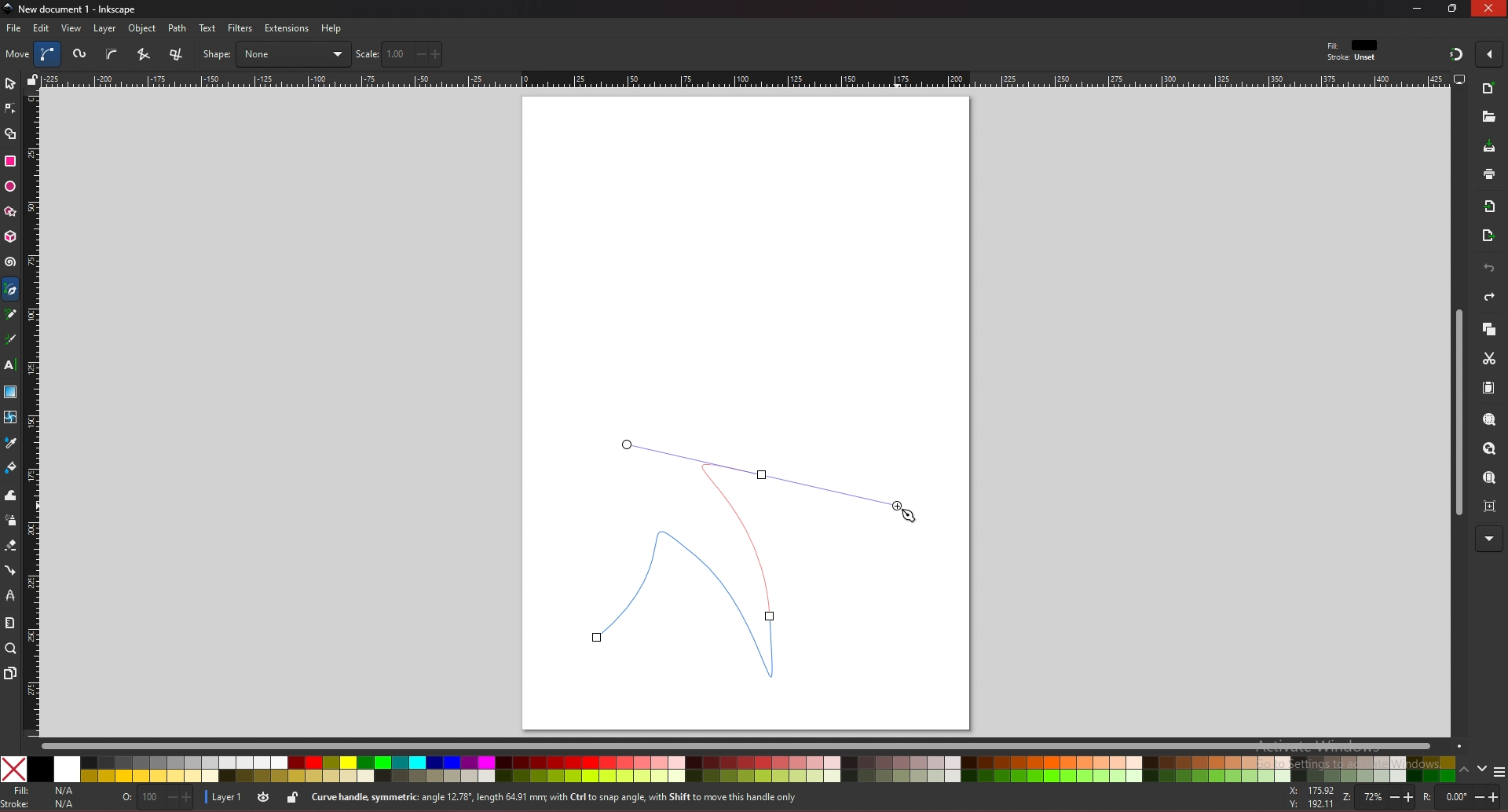  What do you see at coordinates (1488, 330) in the screenshot?
I see `copy` at bounding box center [1488, 330].